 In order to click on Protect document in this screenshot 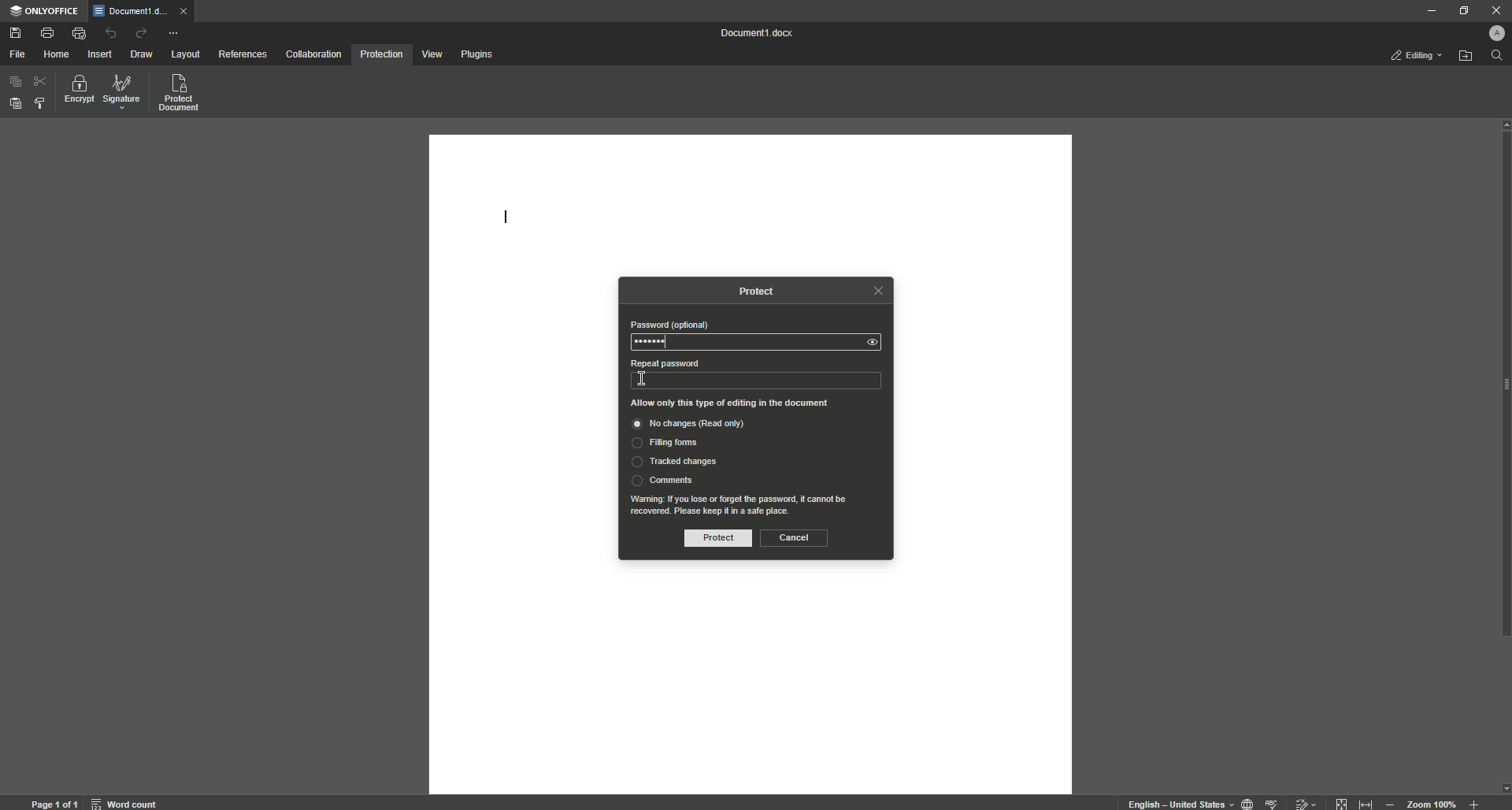, I will do `click(181, 94)`.